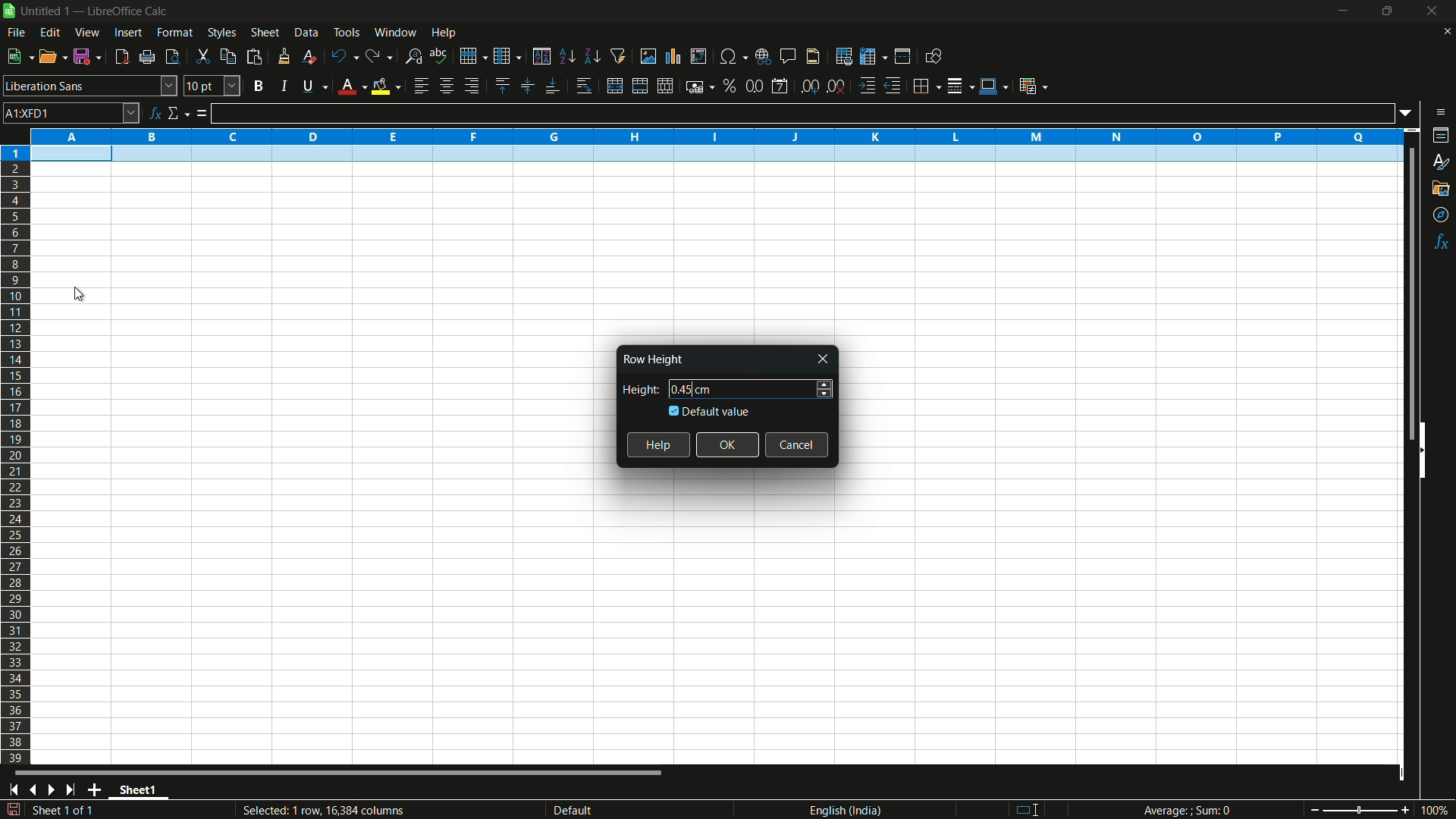 Image resolution: width=1456 pixels, height=819 pixels. Describe the element at coordinates (698, 56) in the screenshot. I see `insert or edit pivot table` at that location.